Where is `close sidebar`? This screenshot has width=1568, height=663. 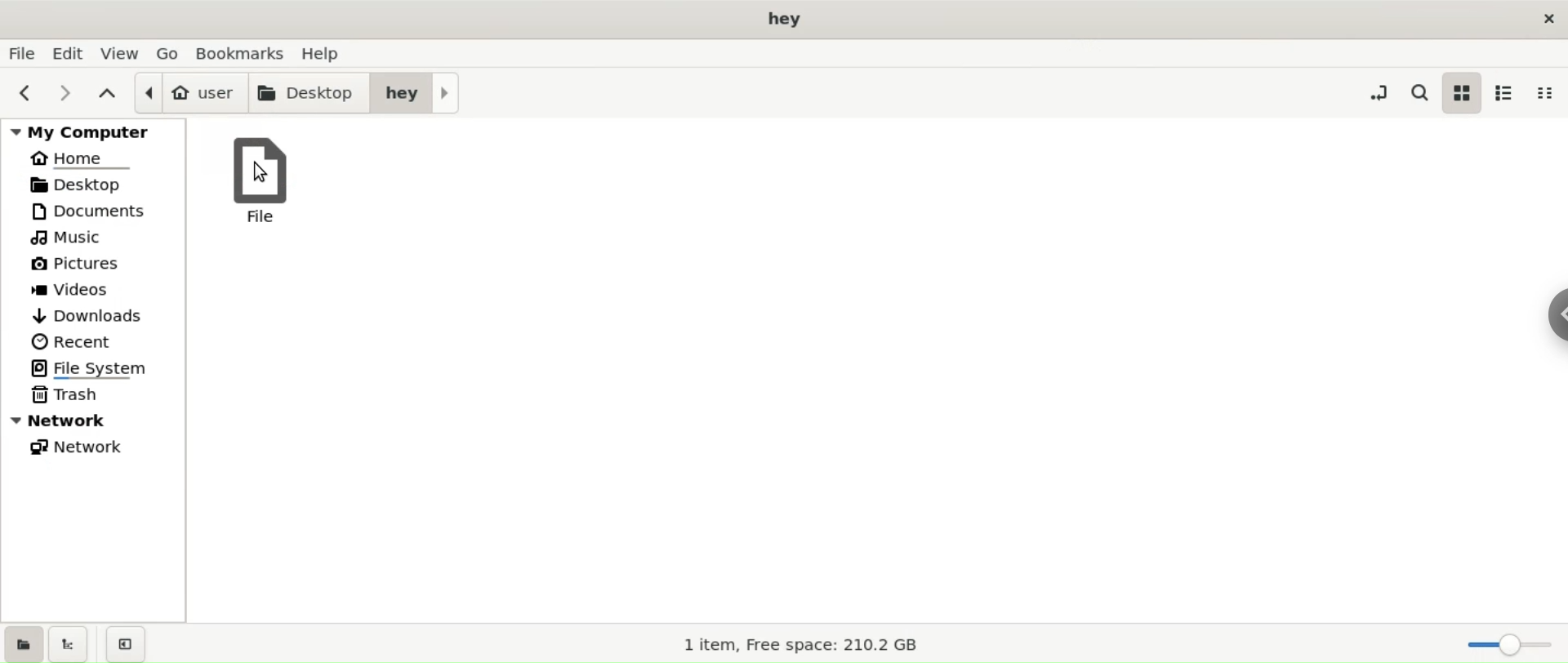
close sidebar is located at coordinates (122, 643).